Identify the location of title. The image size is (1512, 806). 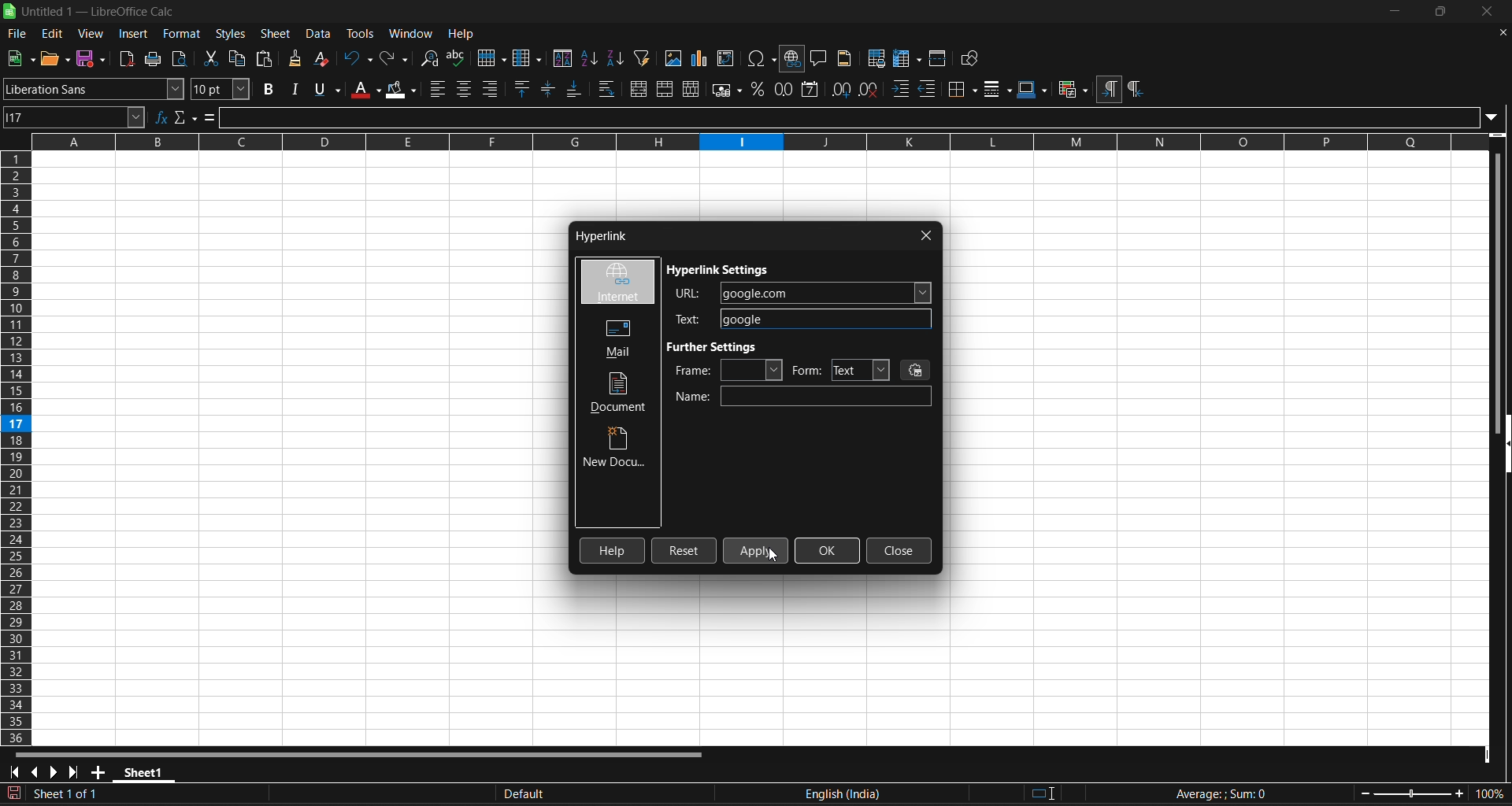
(99, 12).